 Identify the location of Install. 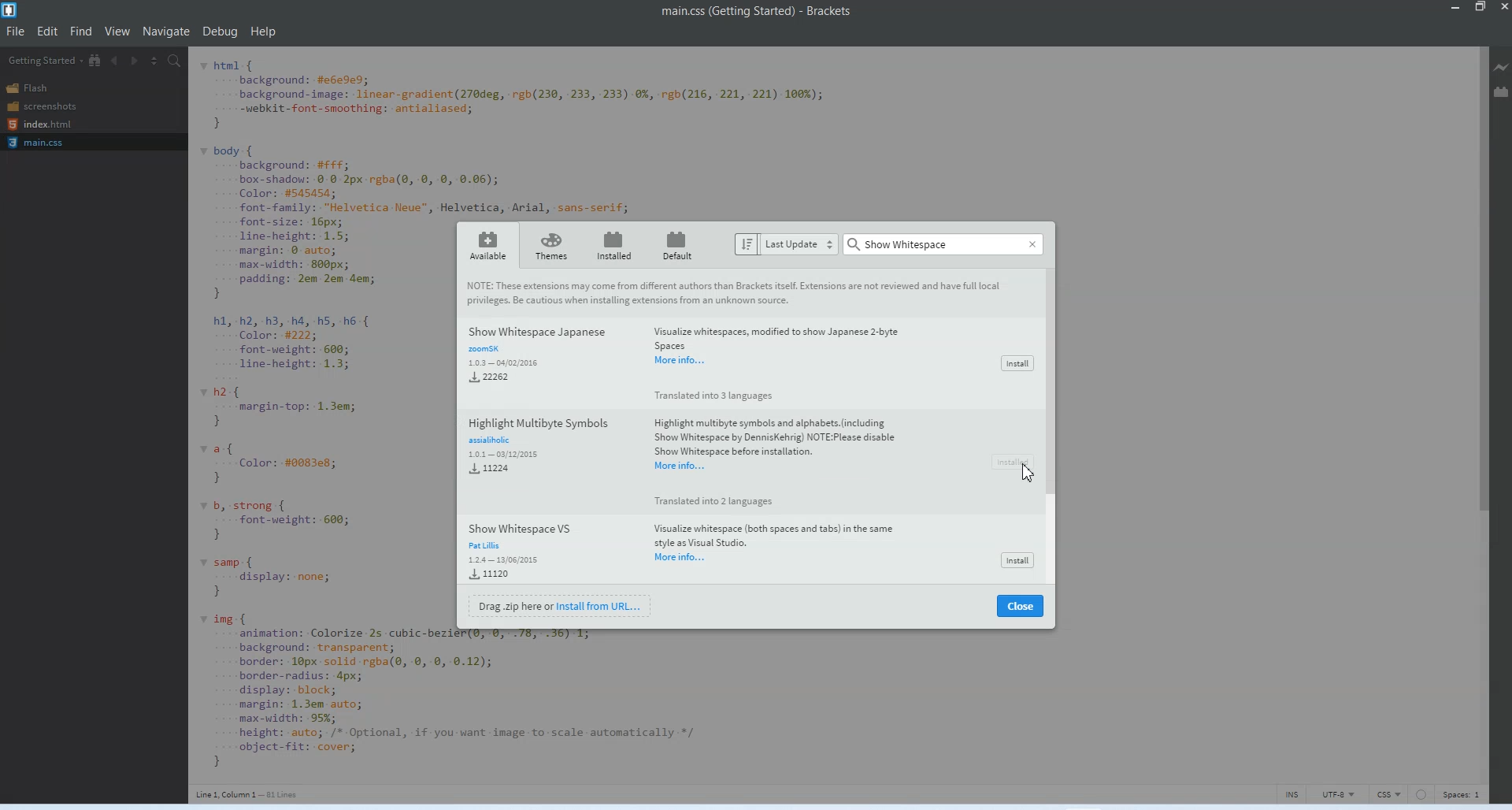
(1015, 555).